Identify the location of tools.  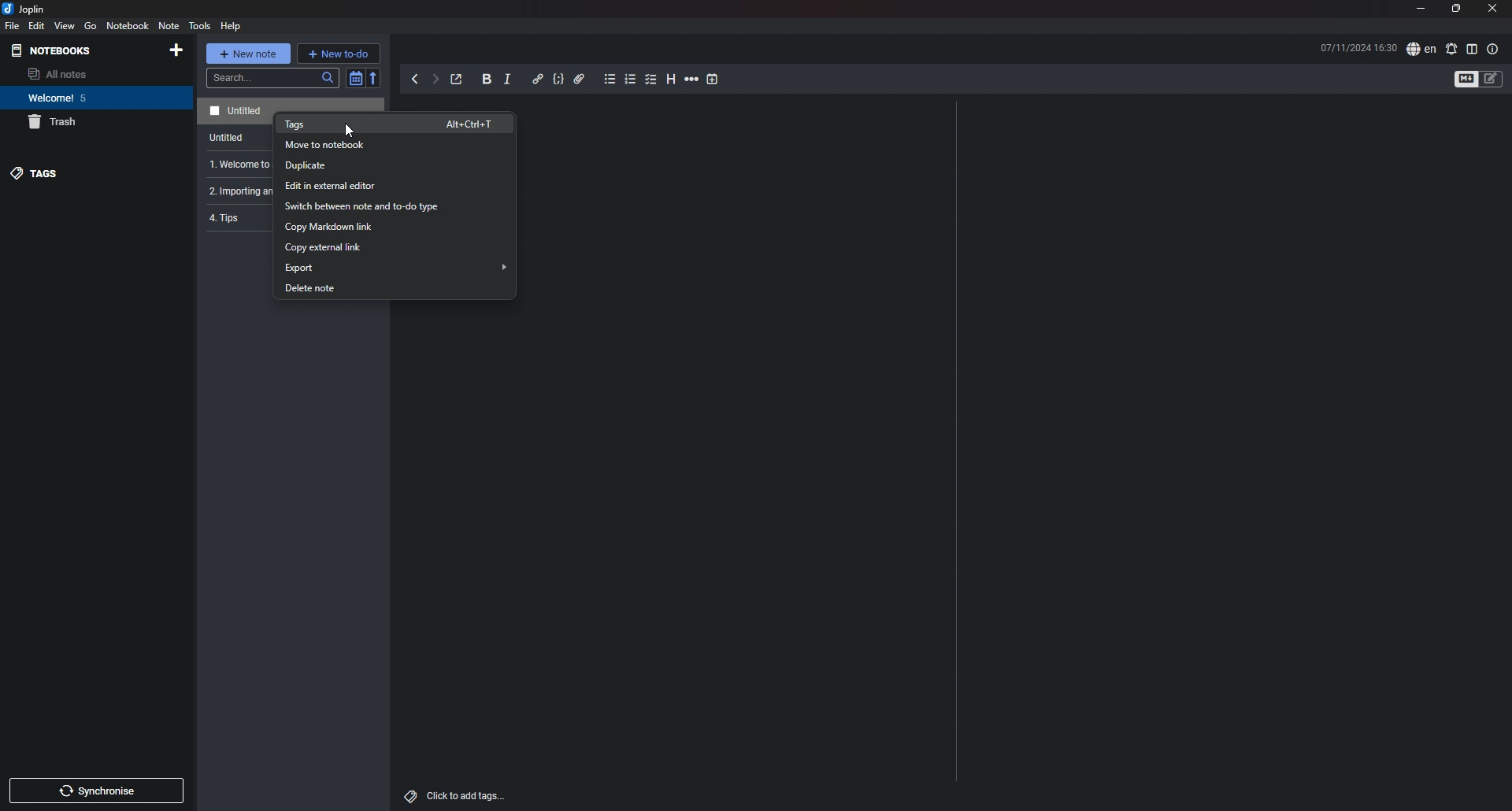
(198, 26).